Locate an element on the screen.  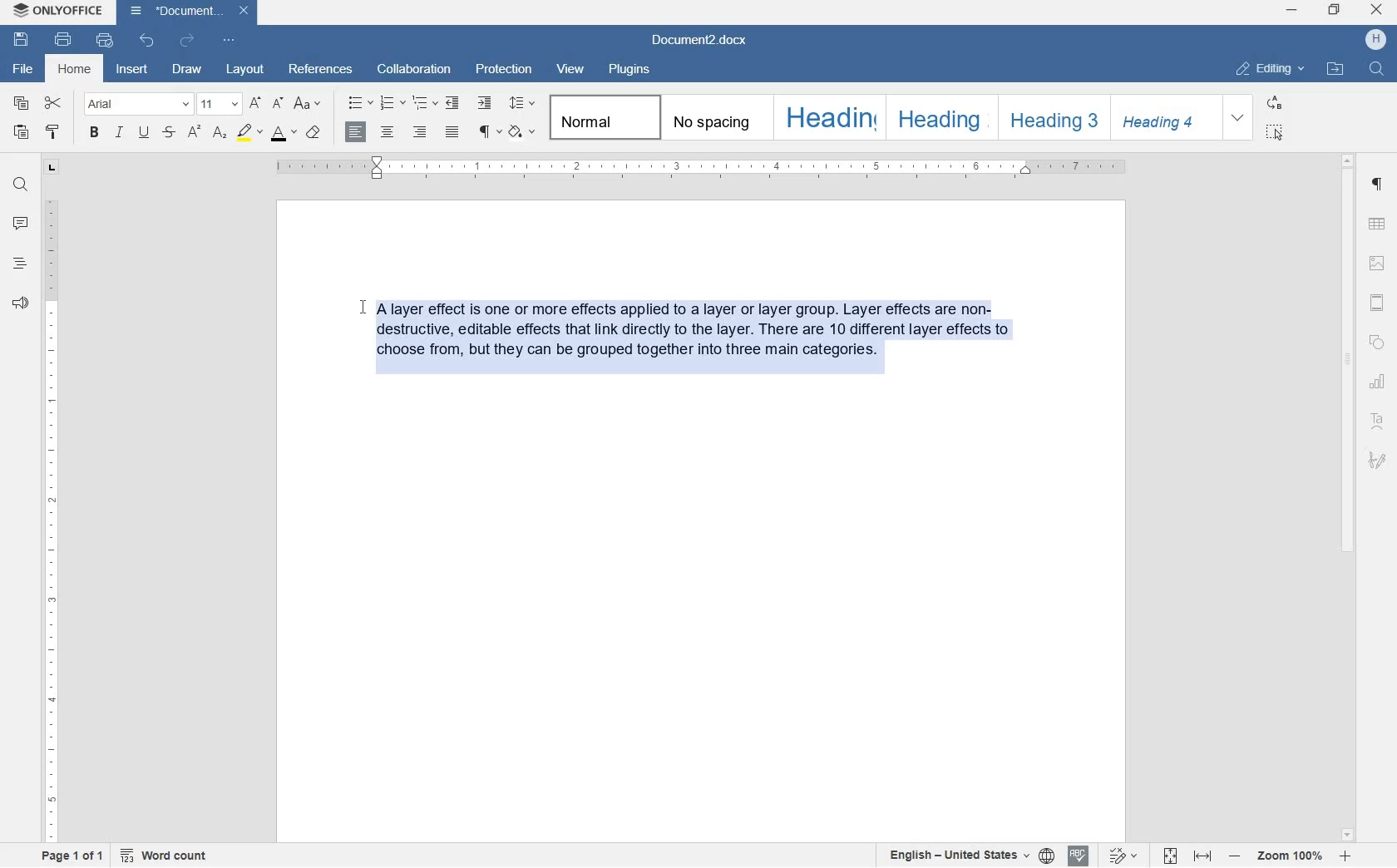
minimize is located at coordinates (1291, 11).